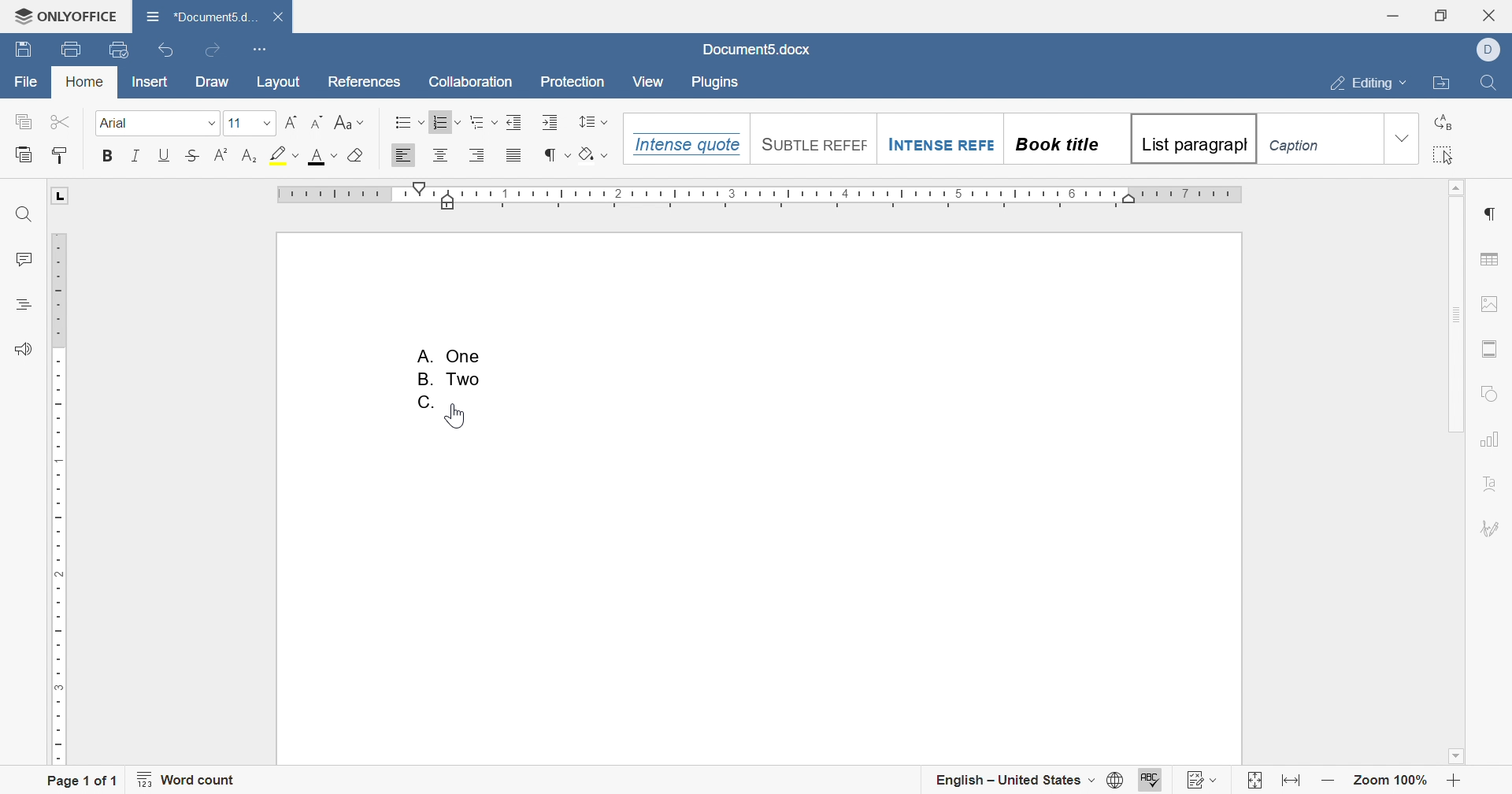 The height and width of the screenshot is (794, 1512). Describe the element at coordinates (1491, 439) in the screenshot. I see `chart settings` at that location.